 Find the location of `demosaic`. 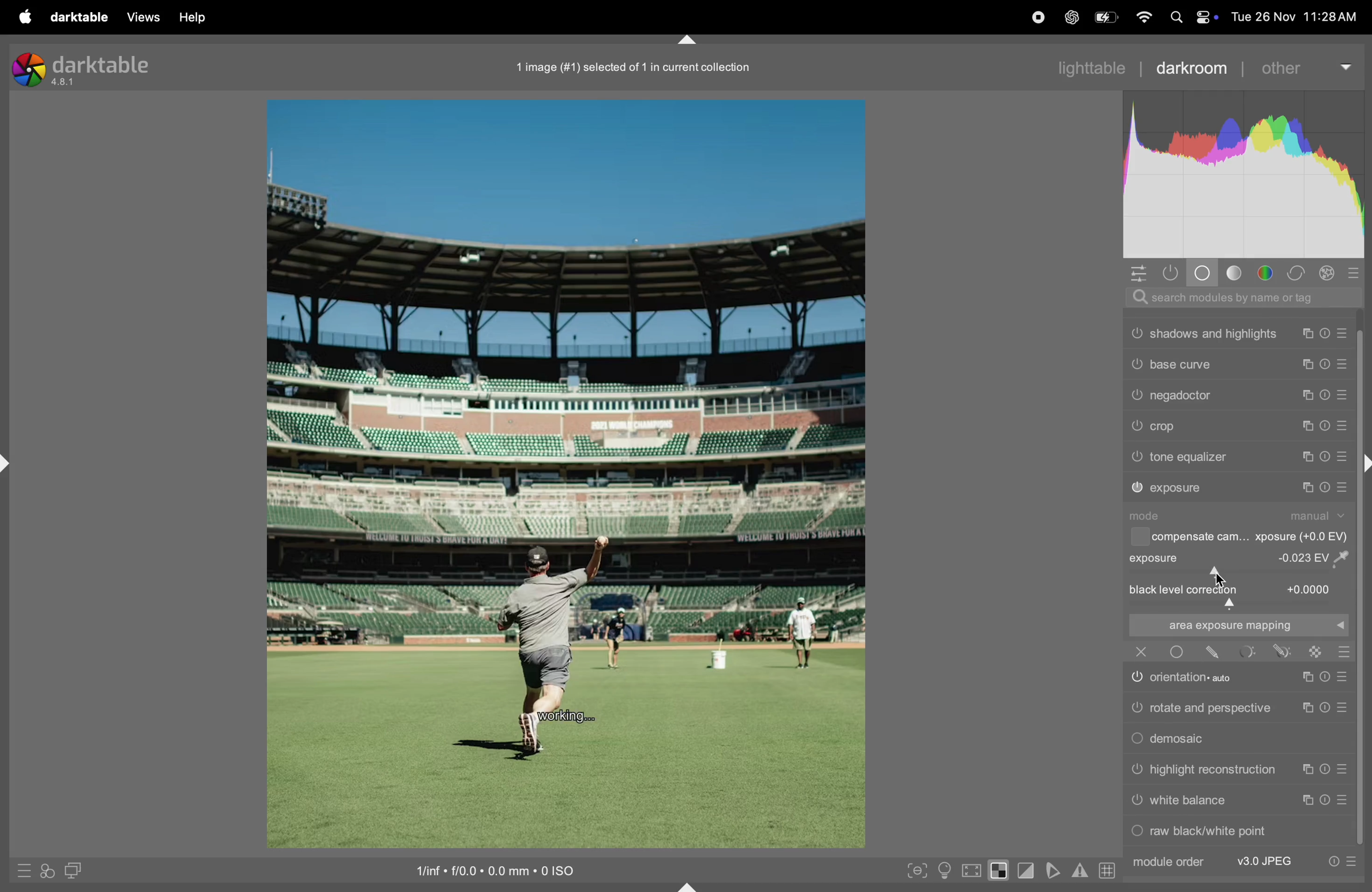

demosaic is located at coordinates (1182, 739).